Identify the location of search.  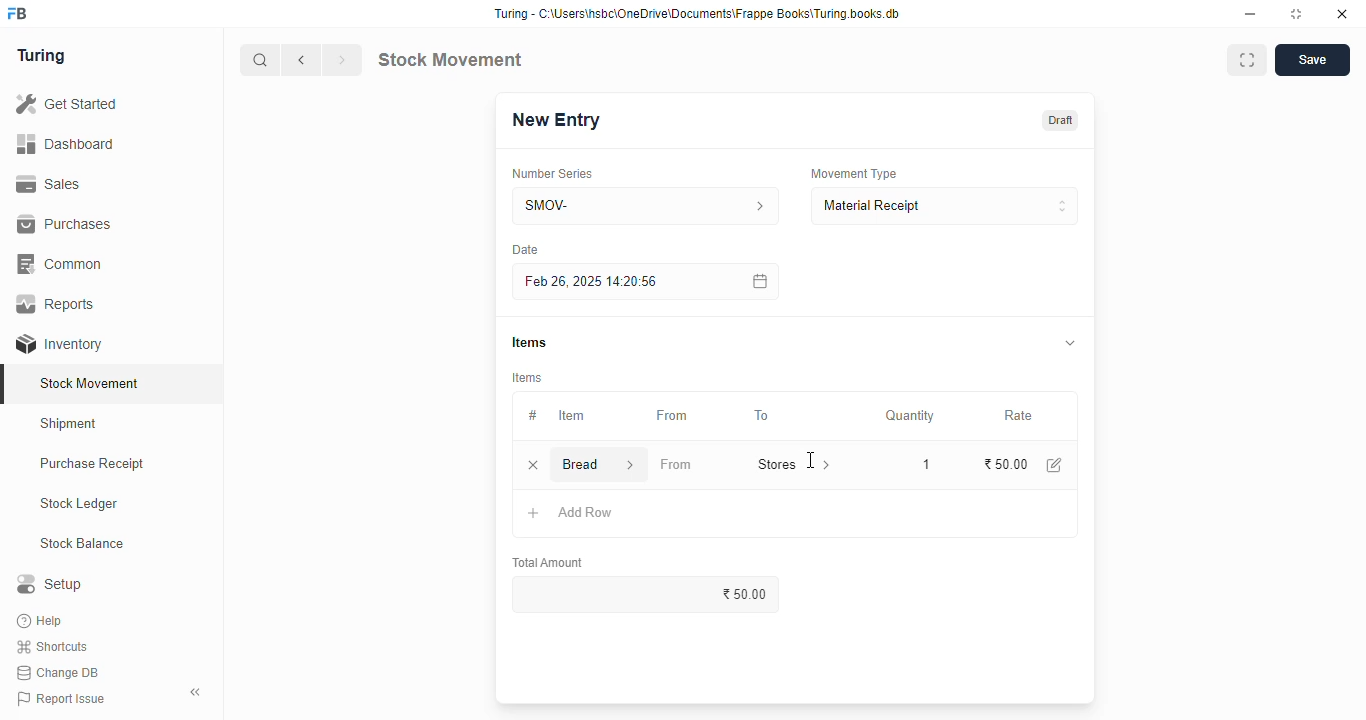
(261, 60).